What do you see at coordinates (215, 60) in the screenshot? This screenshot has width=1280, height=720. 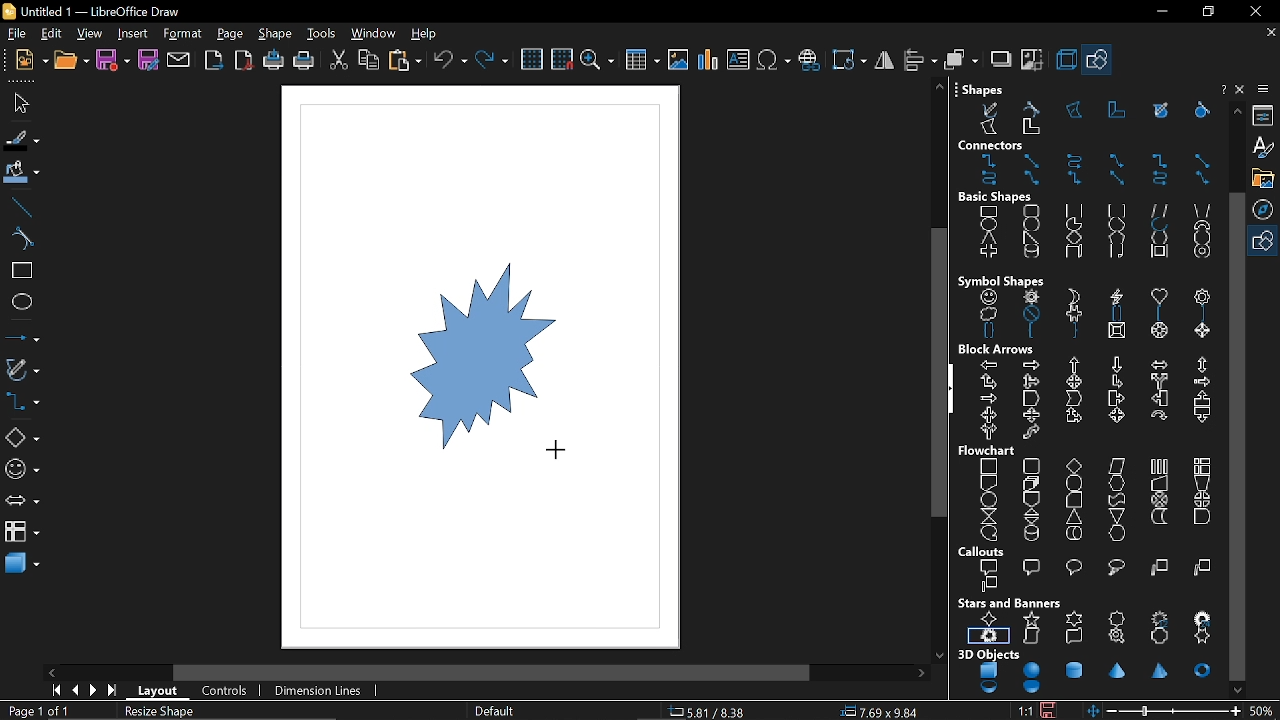 I see `export` at bounding box center [215, 60].